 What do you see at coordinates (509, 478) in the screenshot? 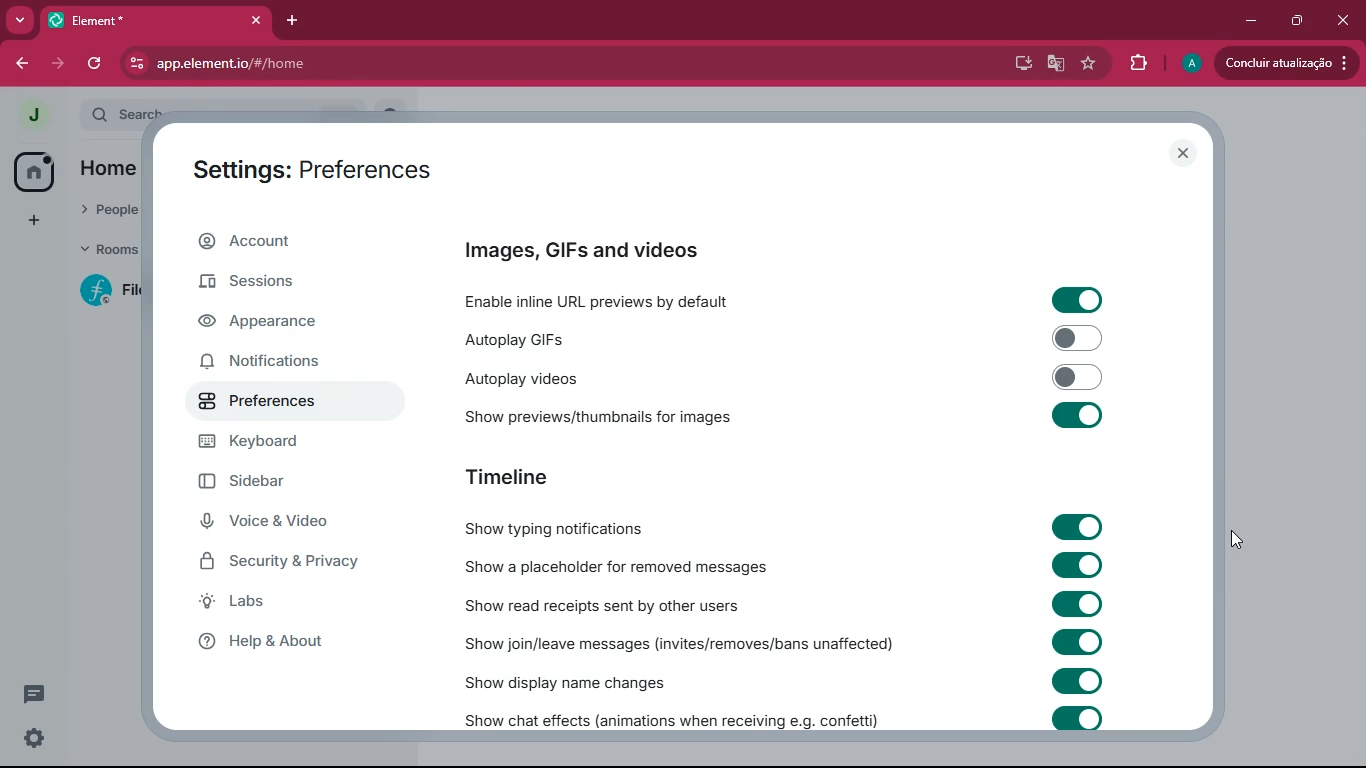
I see `timeline` at bounding box center [509, 478].